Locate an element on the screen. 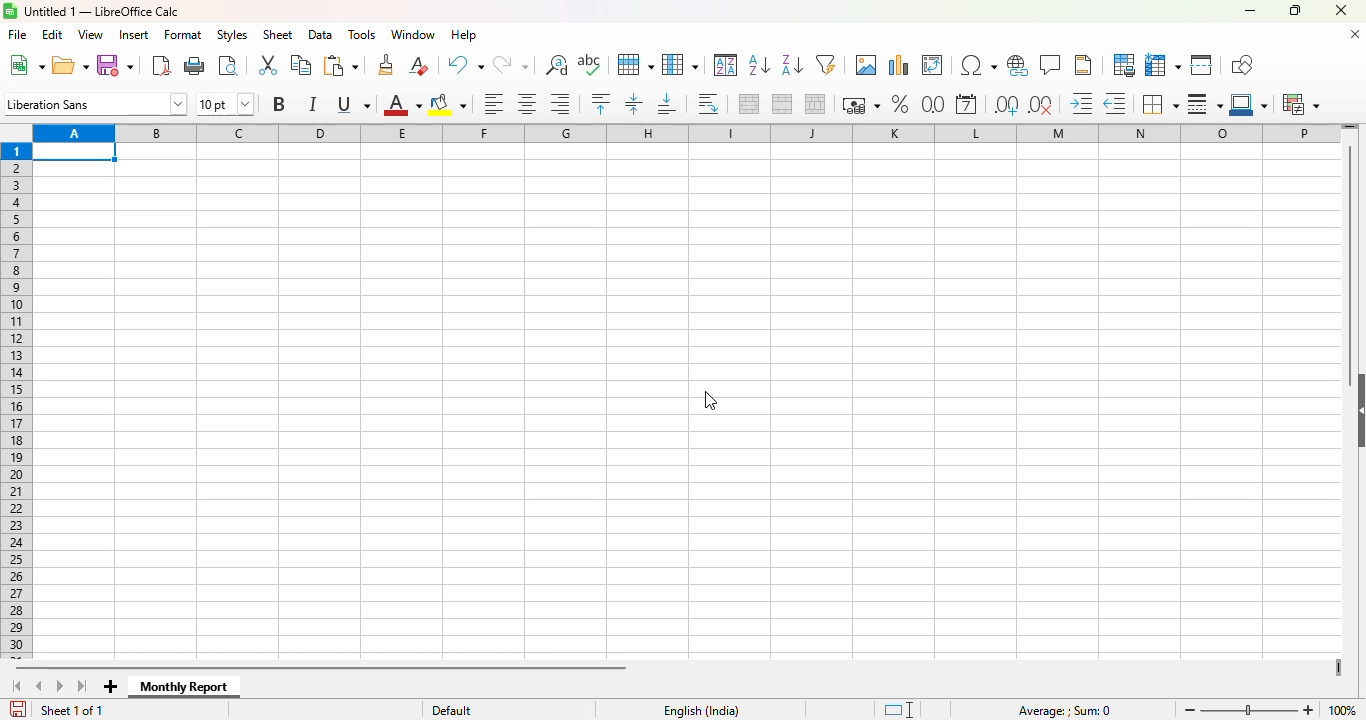 Image resolution: width=1366 pixels, height=720 pixels. cursor is located at coordinates (710, 401).